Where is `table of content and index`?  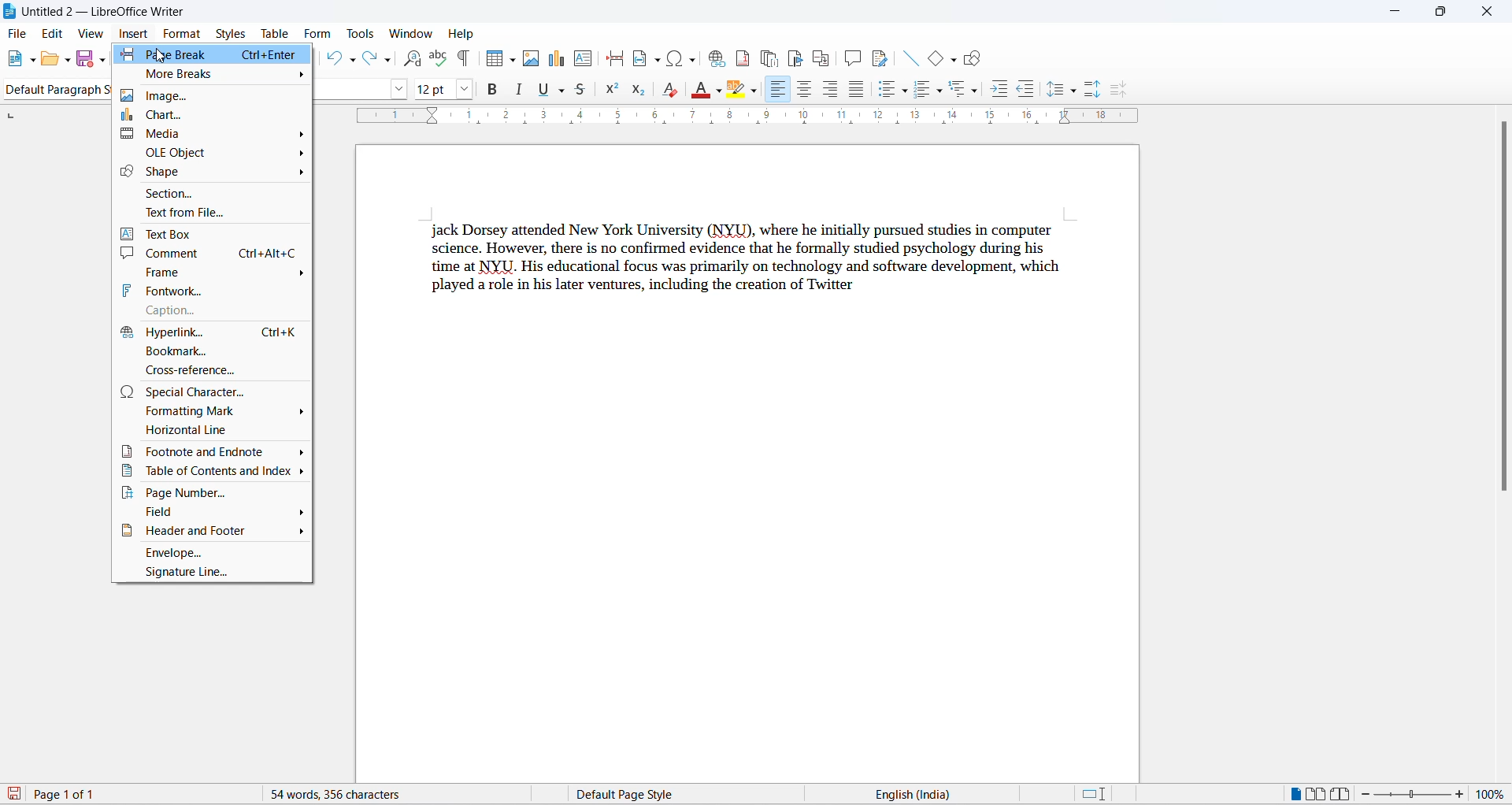
table of content and index is located at coordinates (215, 473).